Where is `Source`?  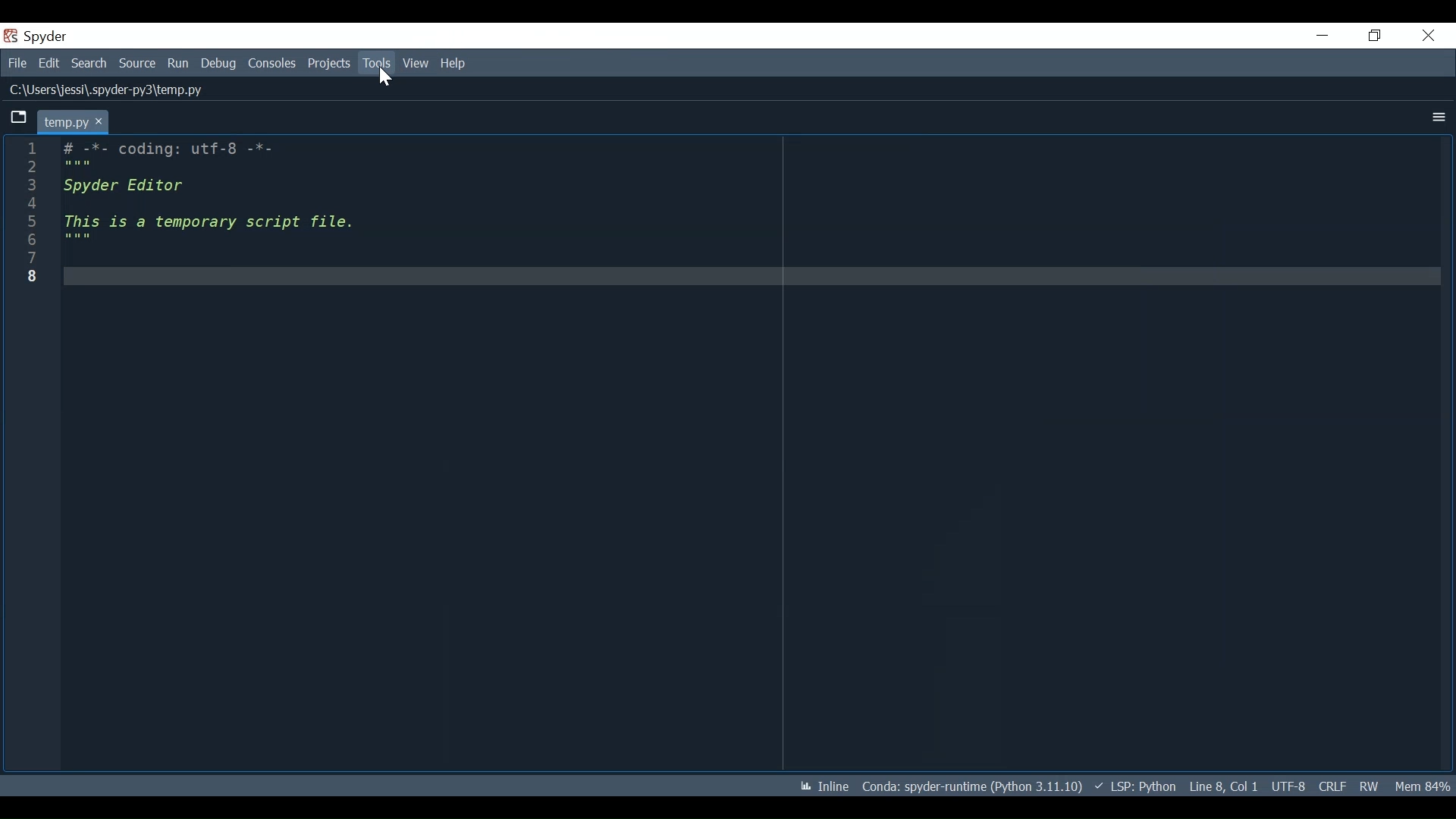 Source is located at coordinates (138, 65).